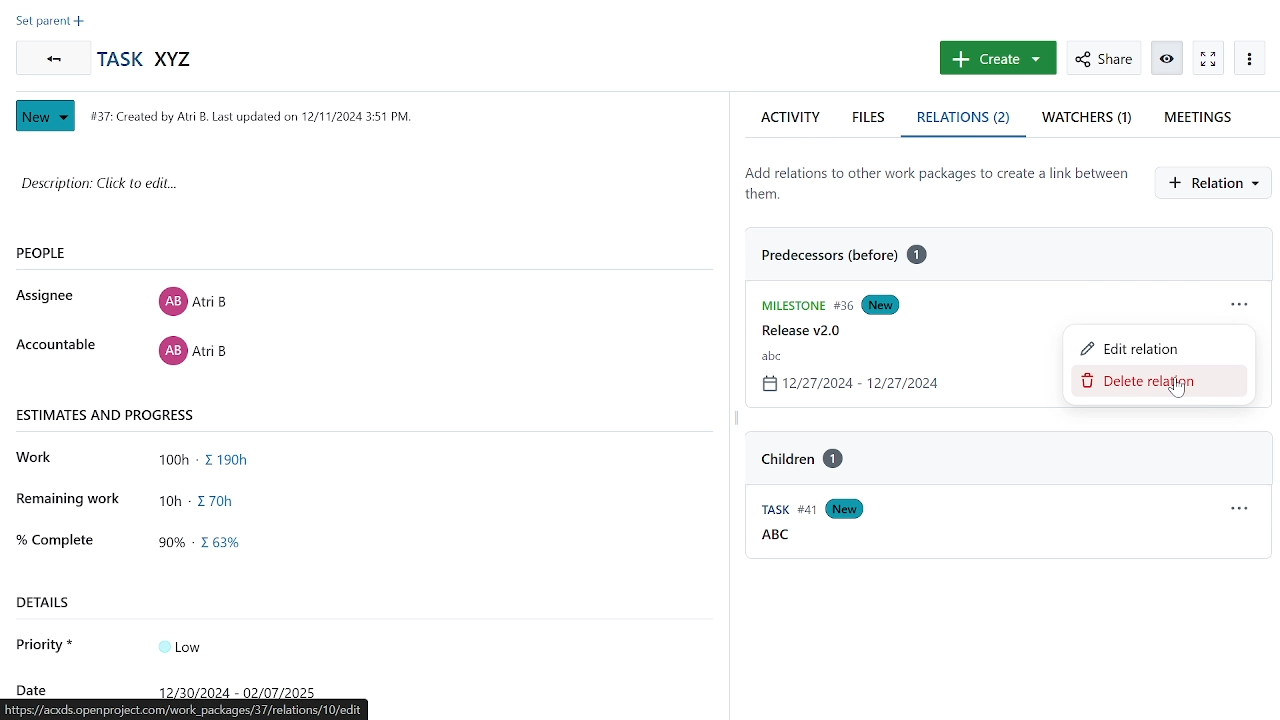 Image resolution: width=1280 pixels, height=720 pixels. What do you see at coordinates (244, 690) in the screenshot?
I see `date` at bounding box center [244, 690].